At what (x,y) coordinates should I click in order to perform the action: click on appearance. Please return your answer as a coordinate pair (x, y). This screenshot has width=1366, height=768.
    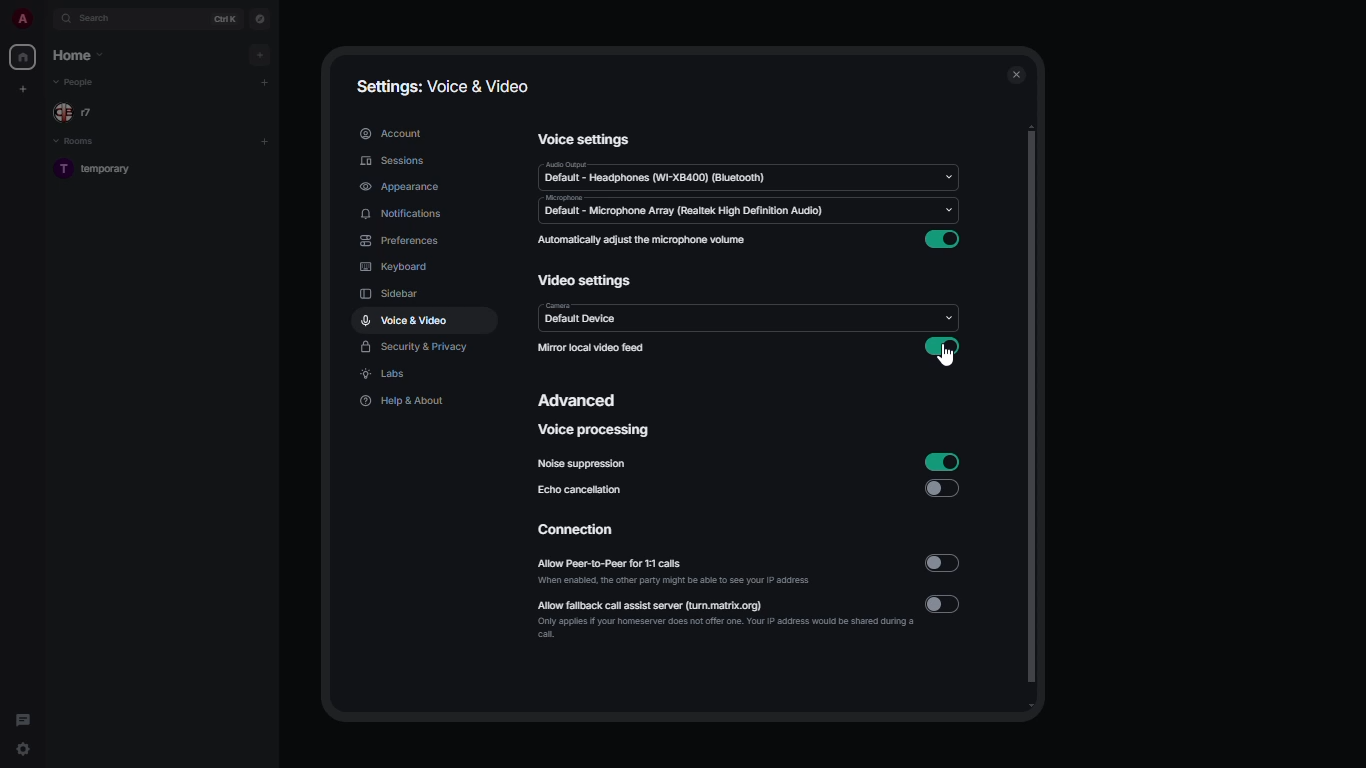
    Looking at the image, I should click on (403, 187).